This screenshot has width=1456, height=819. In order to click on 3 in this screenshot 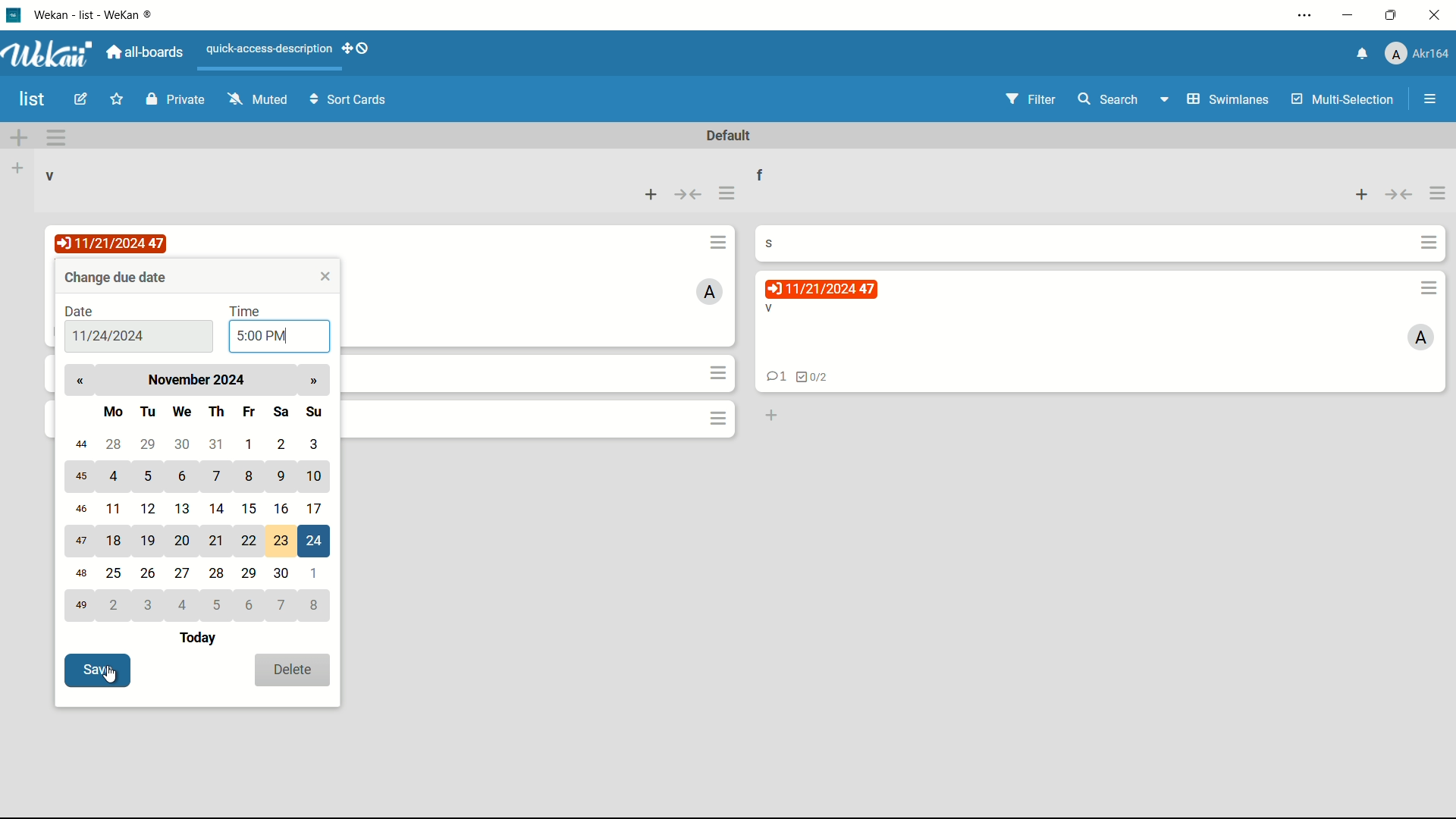, I will do `click(152, 605)`.